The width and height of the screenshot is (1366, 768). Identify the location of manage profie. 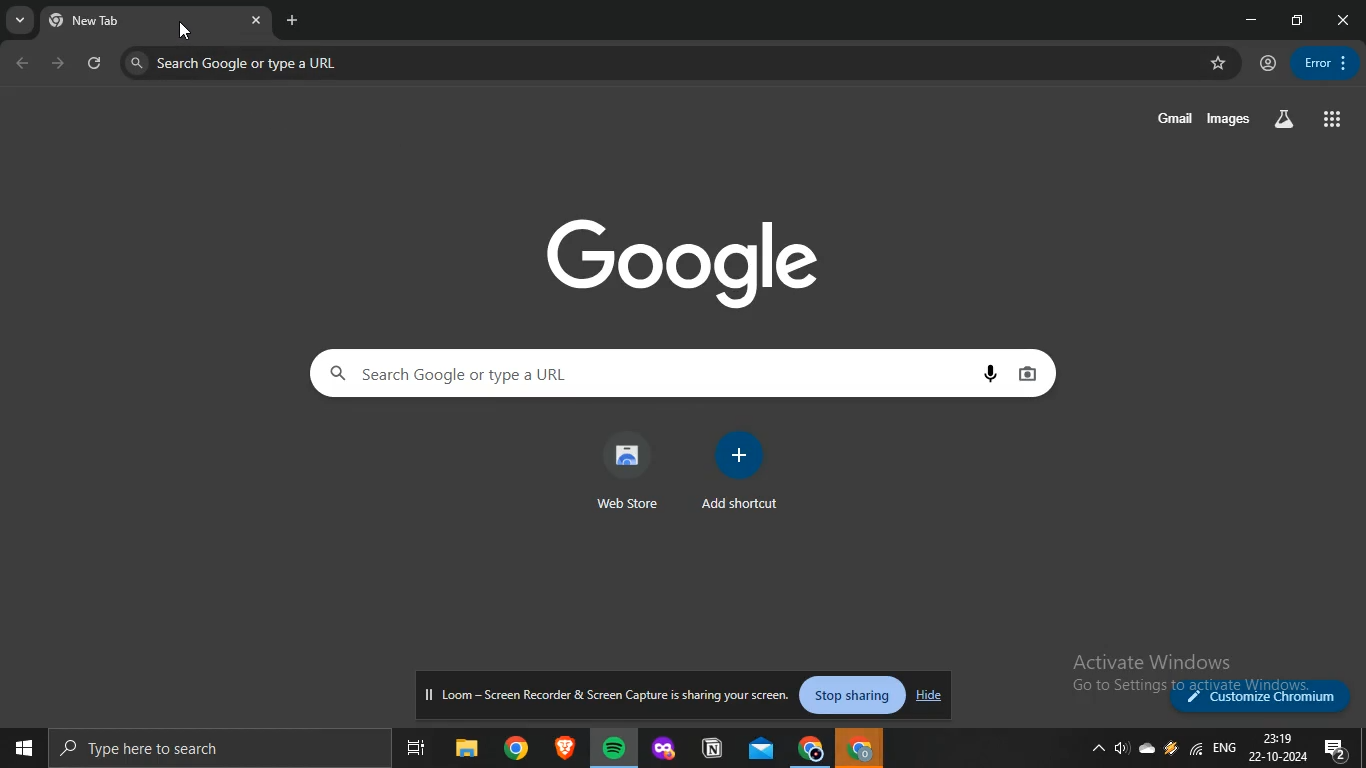
(1268, 64).